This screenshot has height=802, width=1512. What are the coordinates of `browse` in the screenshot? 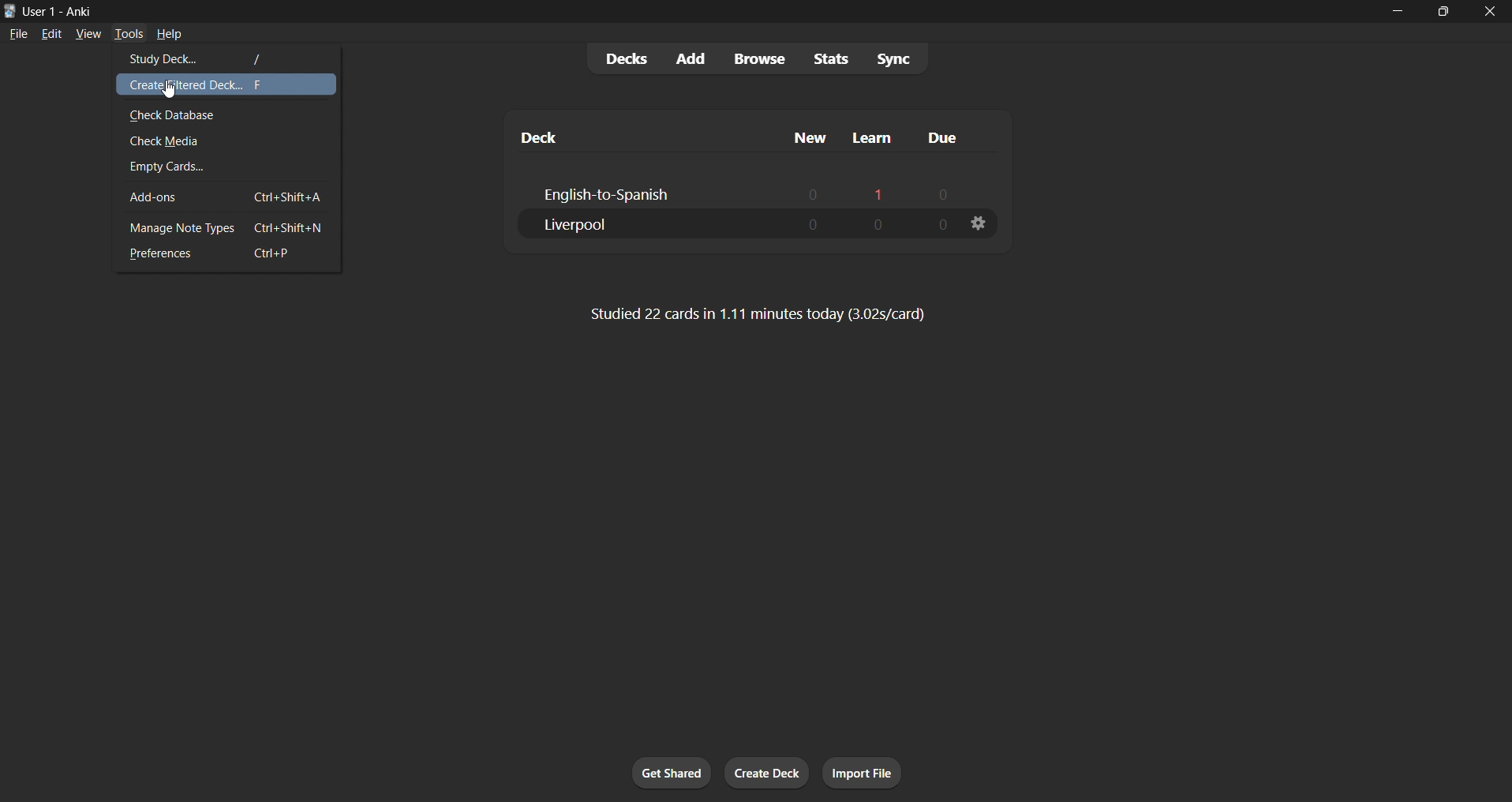 It's located at (751, 58).